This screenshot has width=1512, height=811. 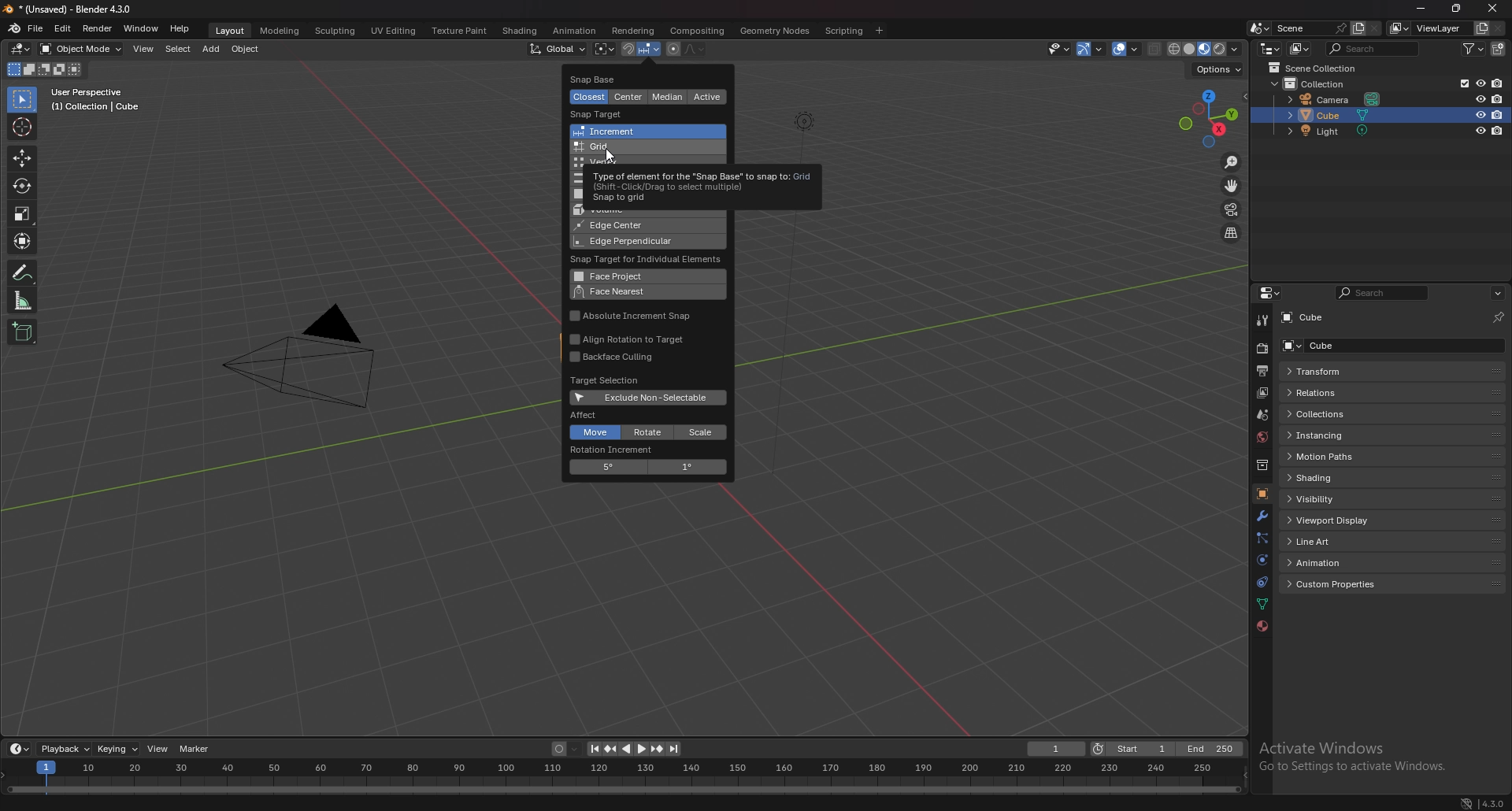 I want to click on jump to previous keyframe, so click(x=613, y=749).